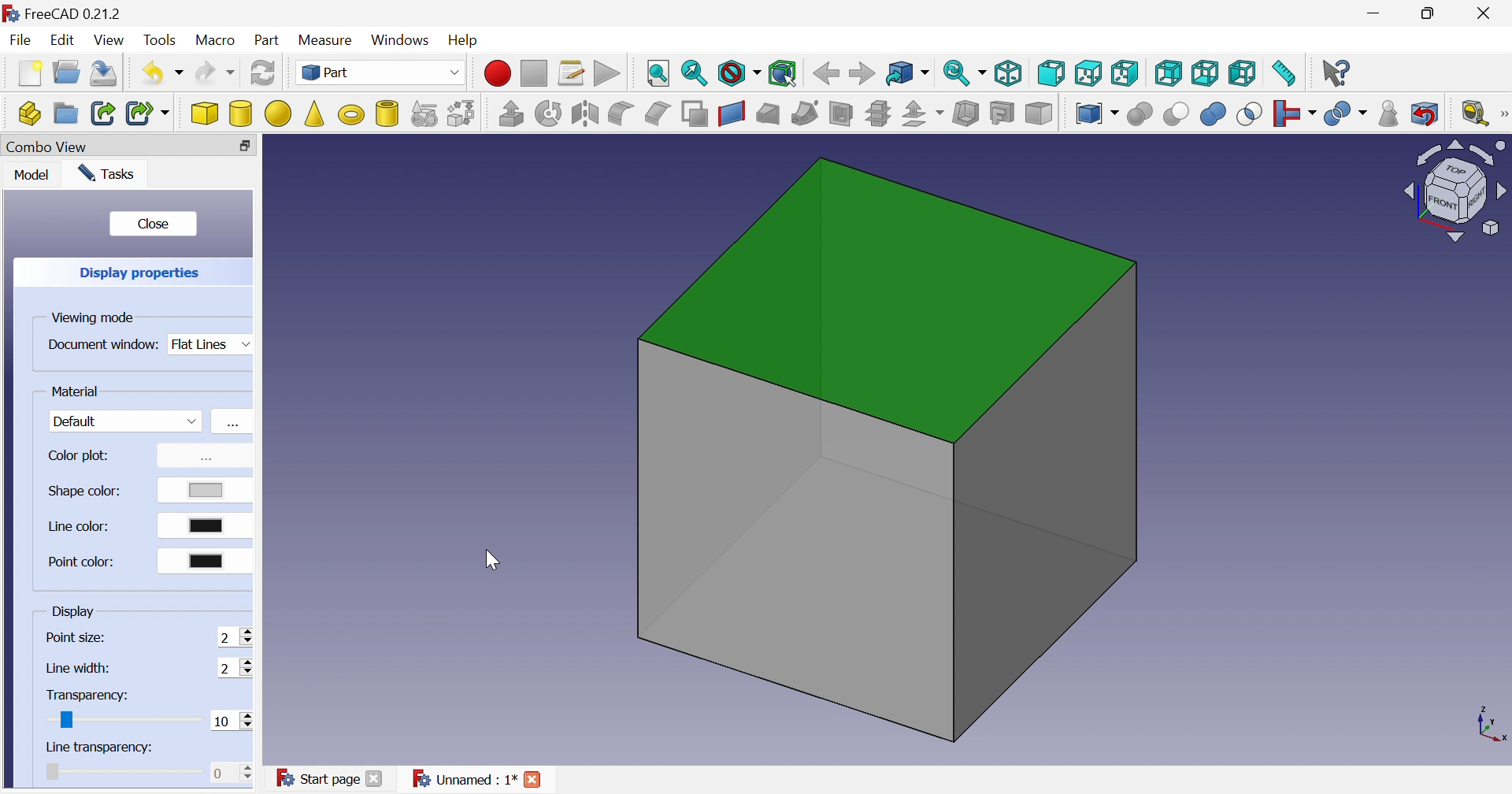 The width and height of the screenshot is (1512, 794). Describe the element at coordinates (216, 72) in the screenshot. I see `Redo` at that location.